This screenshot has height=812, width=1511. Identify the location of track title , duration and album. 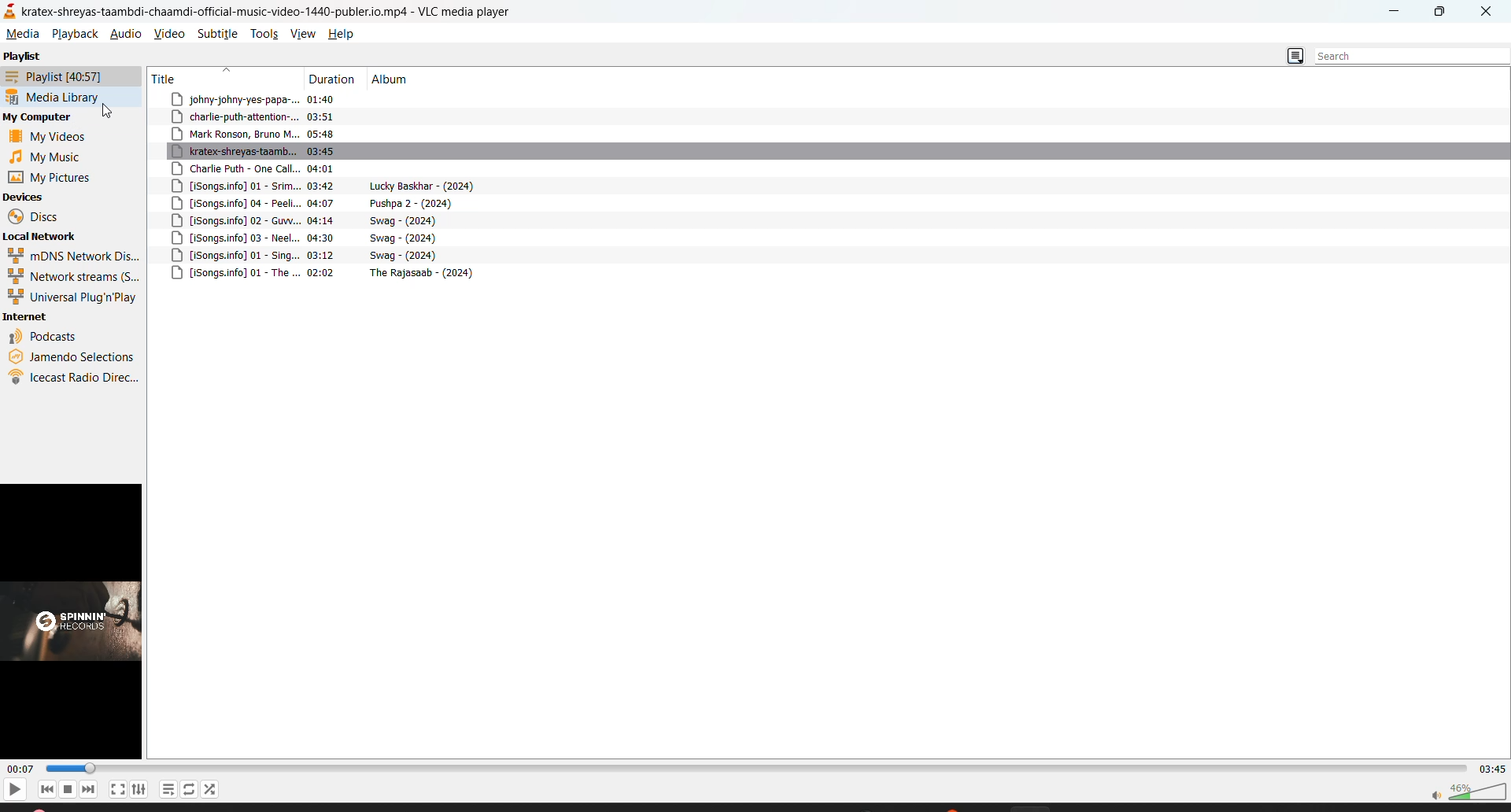
(317, 99).